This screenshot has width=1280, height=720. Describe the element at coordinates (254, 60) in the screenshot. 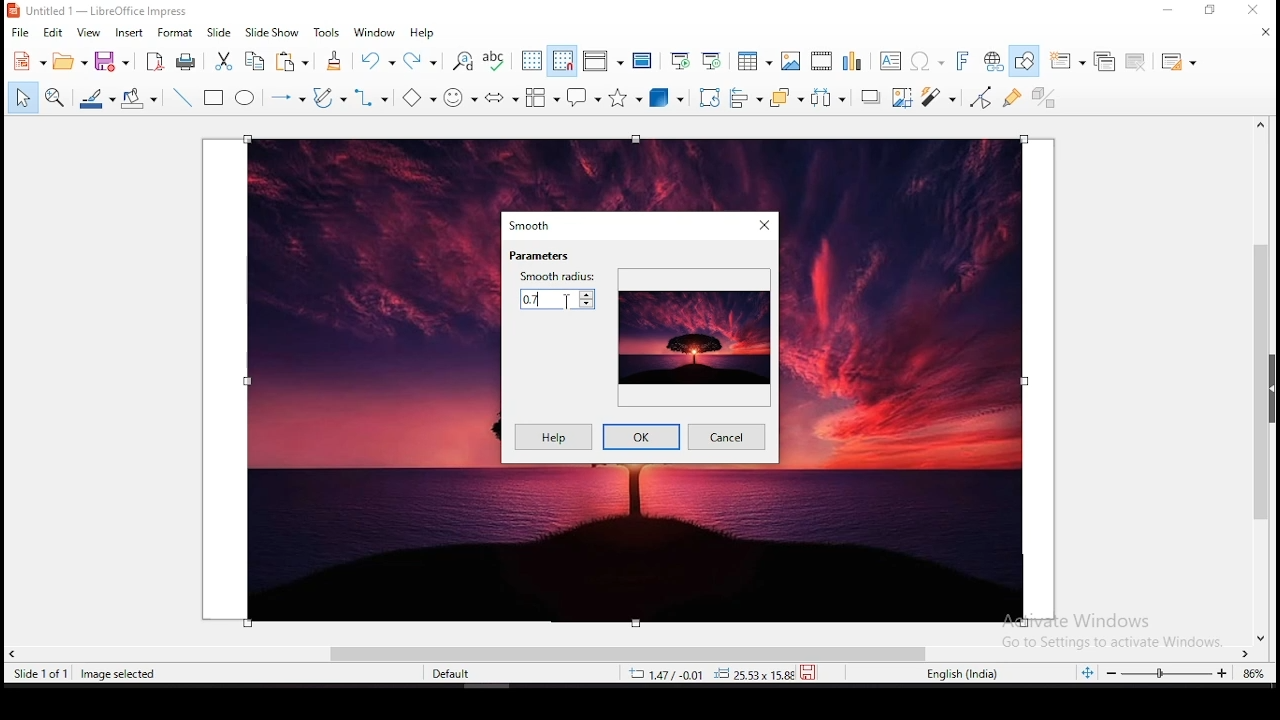

I see `copy` at that location.